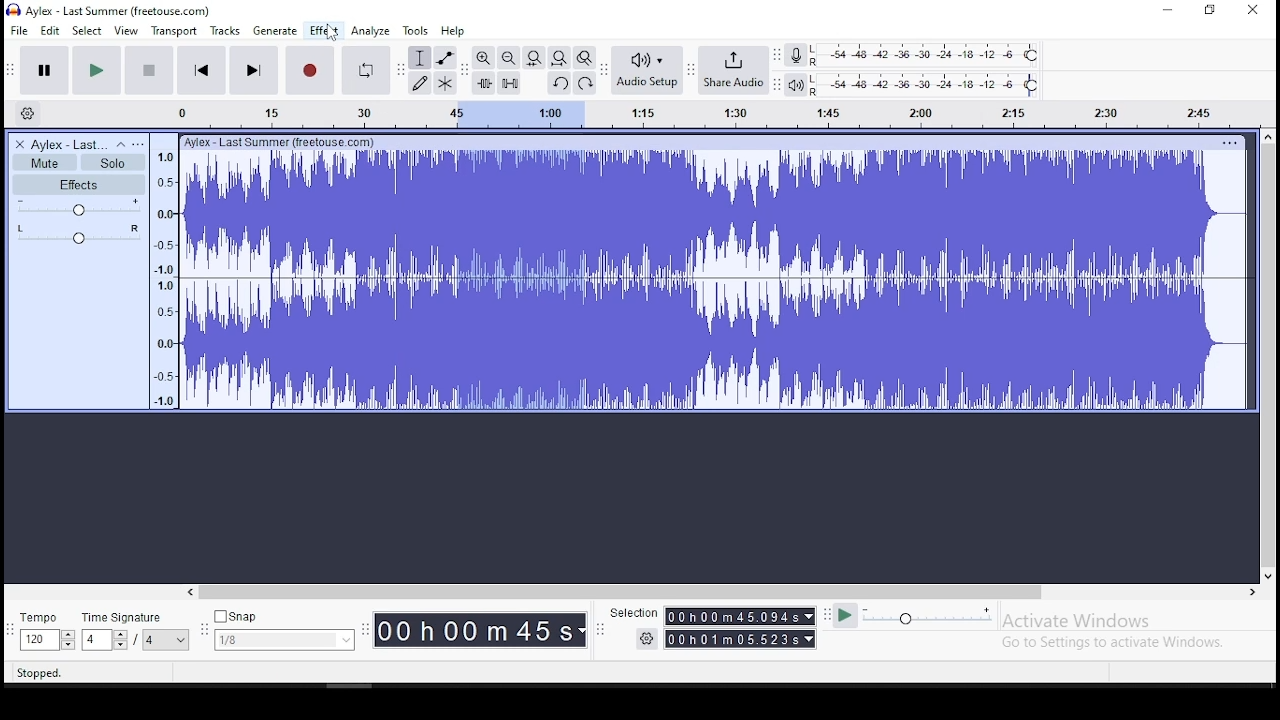 The image size is (1280, 720). What do you see at coordinates (722, 593) in the screenshot?
I see `scroll bar` at bounding box center [722, 593].